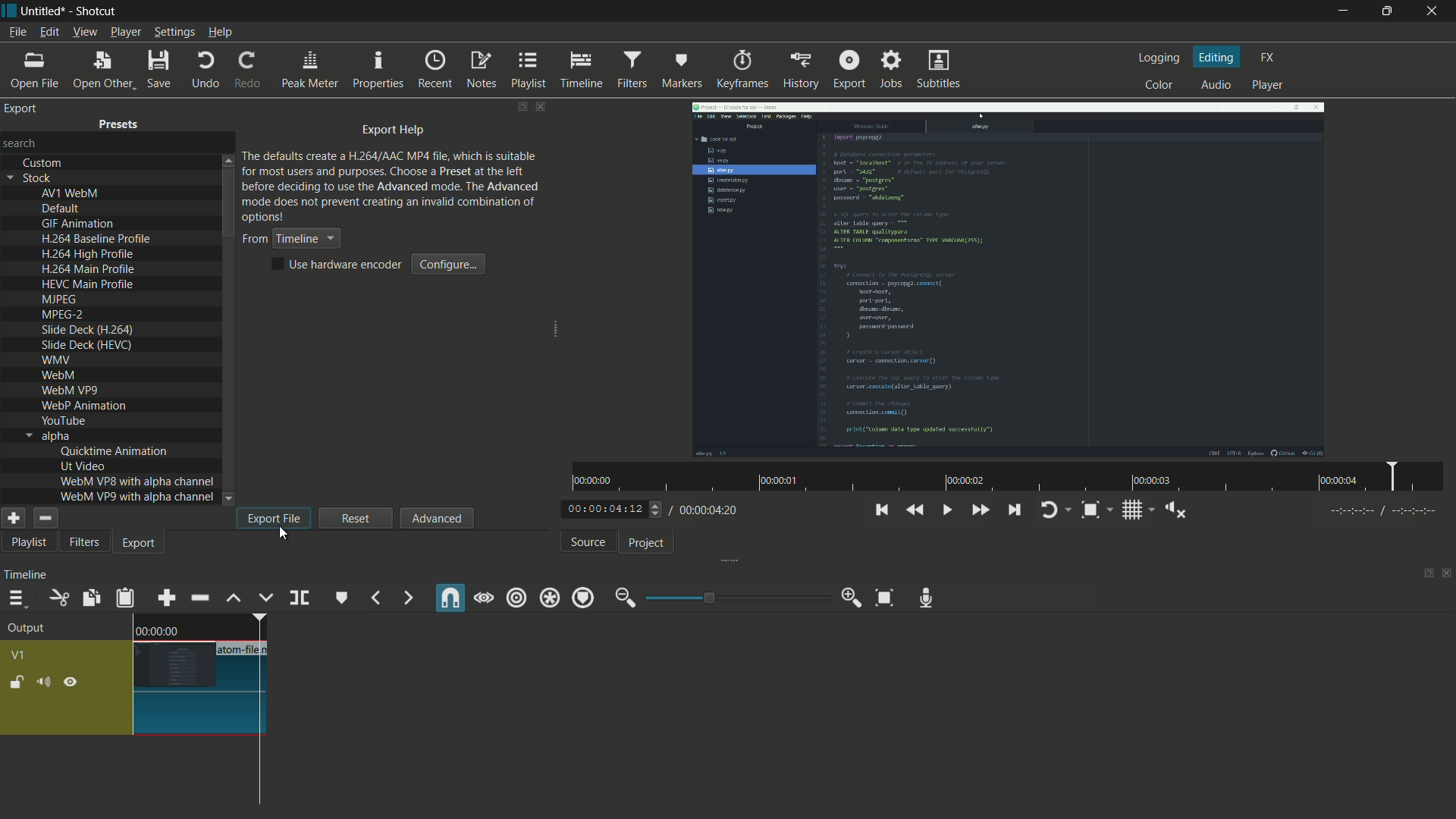 The image size is (1456, 819). I want to click on search, so click(22, 142).